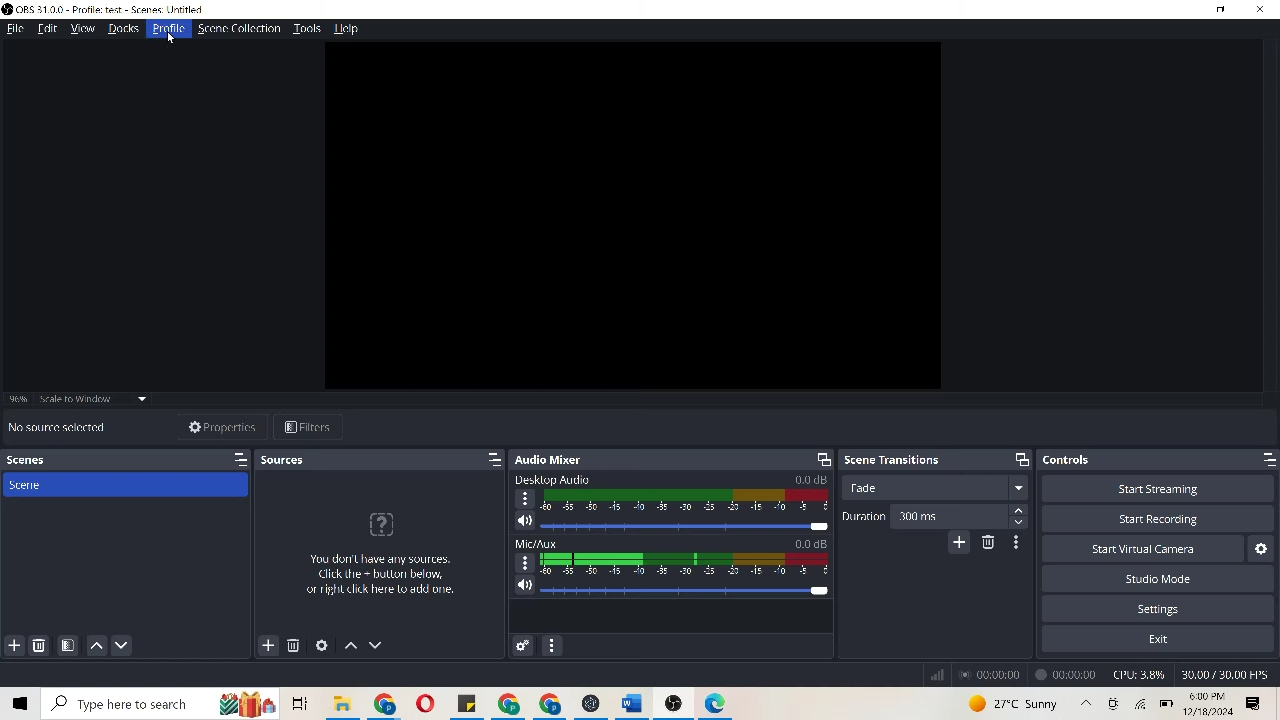  Describe the element at coordinates (169, 29) in the screenshot. I see `Profile` at that location.